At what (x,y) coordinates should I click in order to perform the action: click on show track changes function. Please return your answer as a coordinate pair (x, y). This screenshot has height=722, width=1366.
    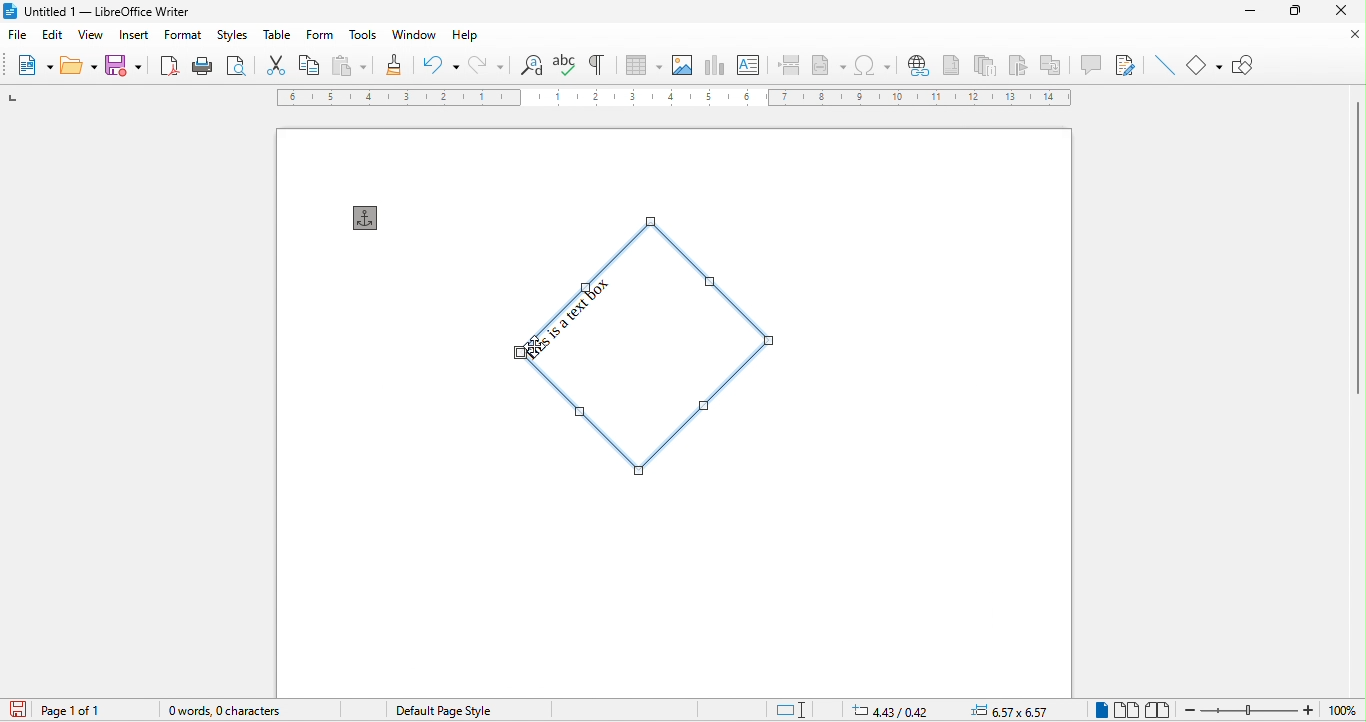
    Looking at the image, I should click on (1125, 64).